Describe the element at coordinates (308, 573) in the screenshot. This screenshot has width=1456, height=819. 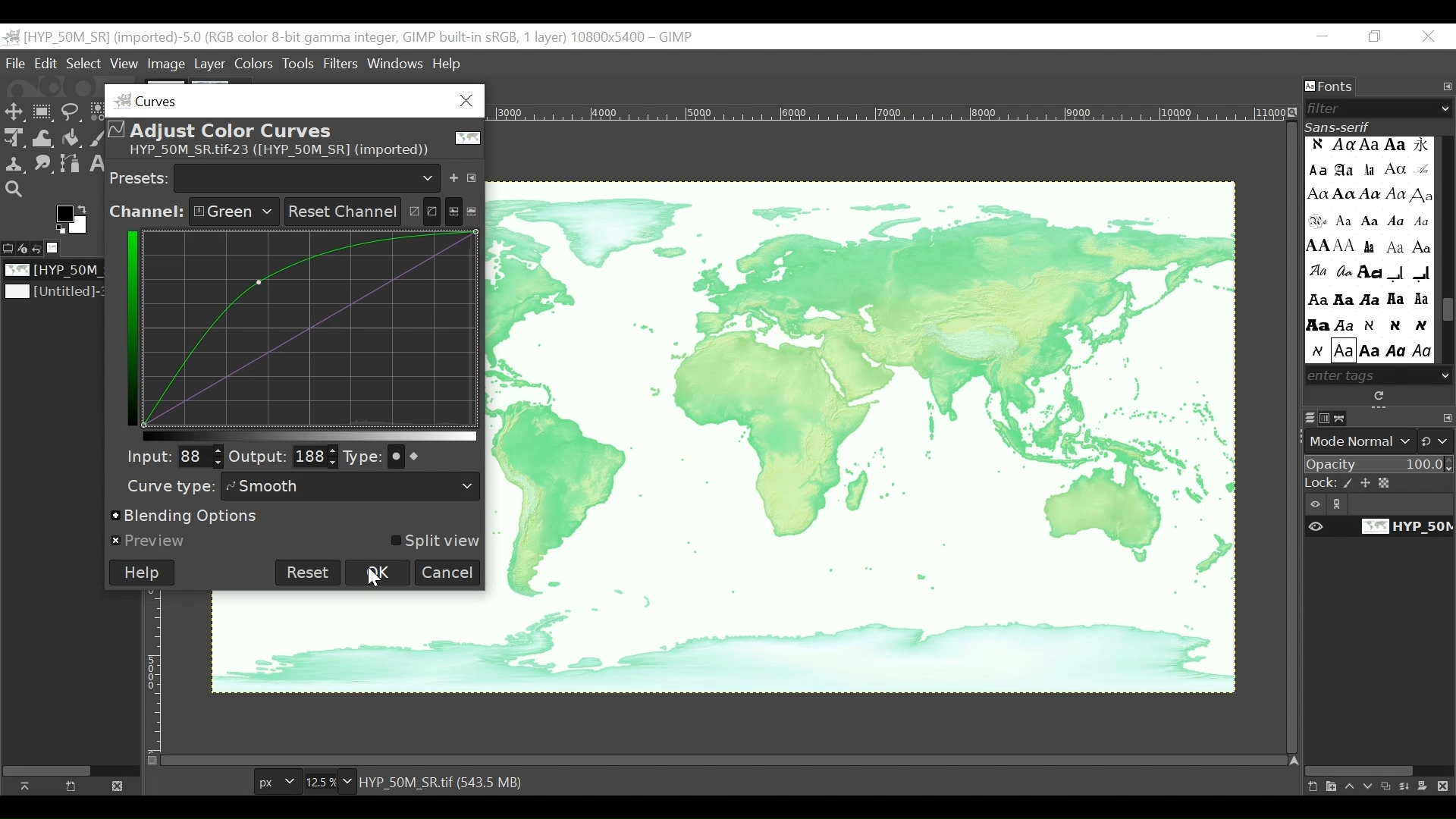
I see `Reset` at that location.